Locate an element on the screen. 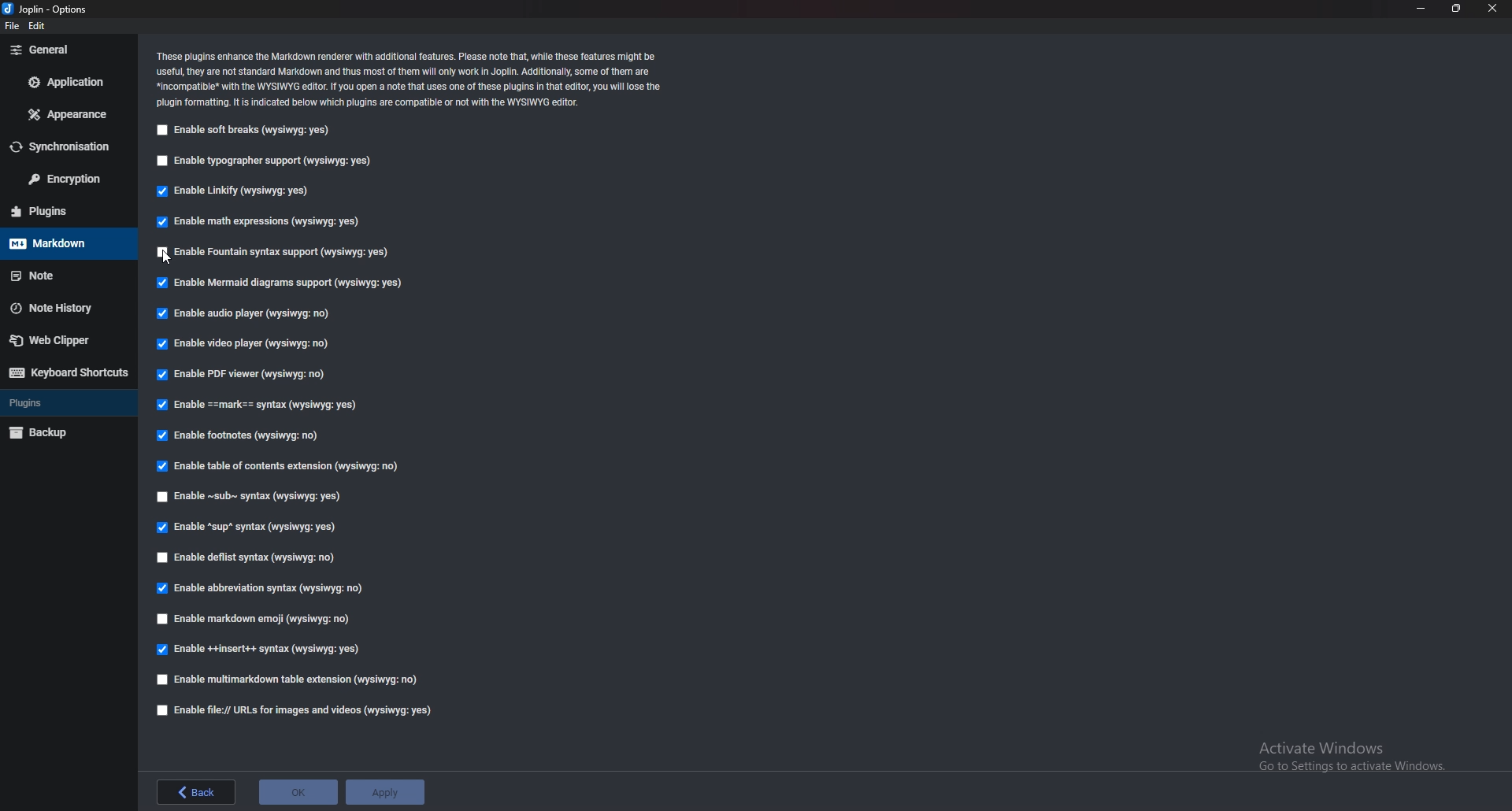  Enable linkify is located at coordinates (236, 191).